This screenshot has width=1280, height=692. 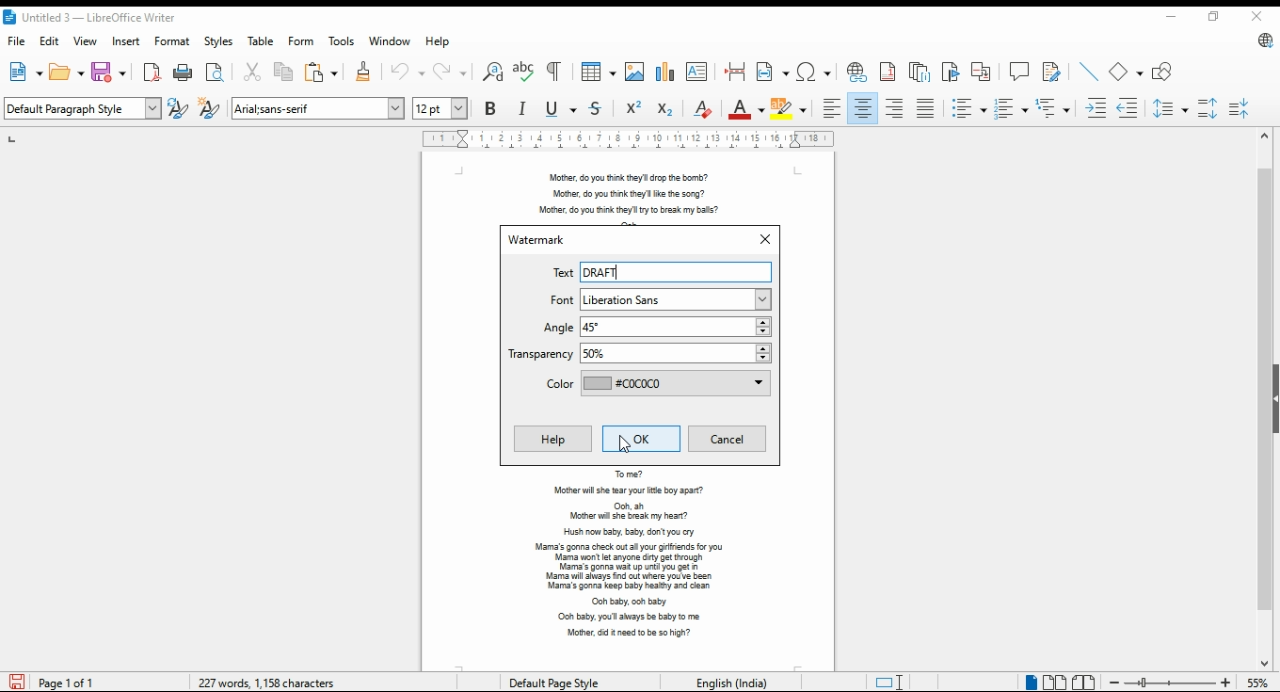 I want to click on font, so click(x=659, y=300).